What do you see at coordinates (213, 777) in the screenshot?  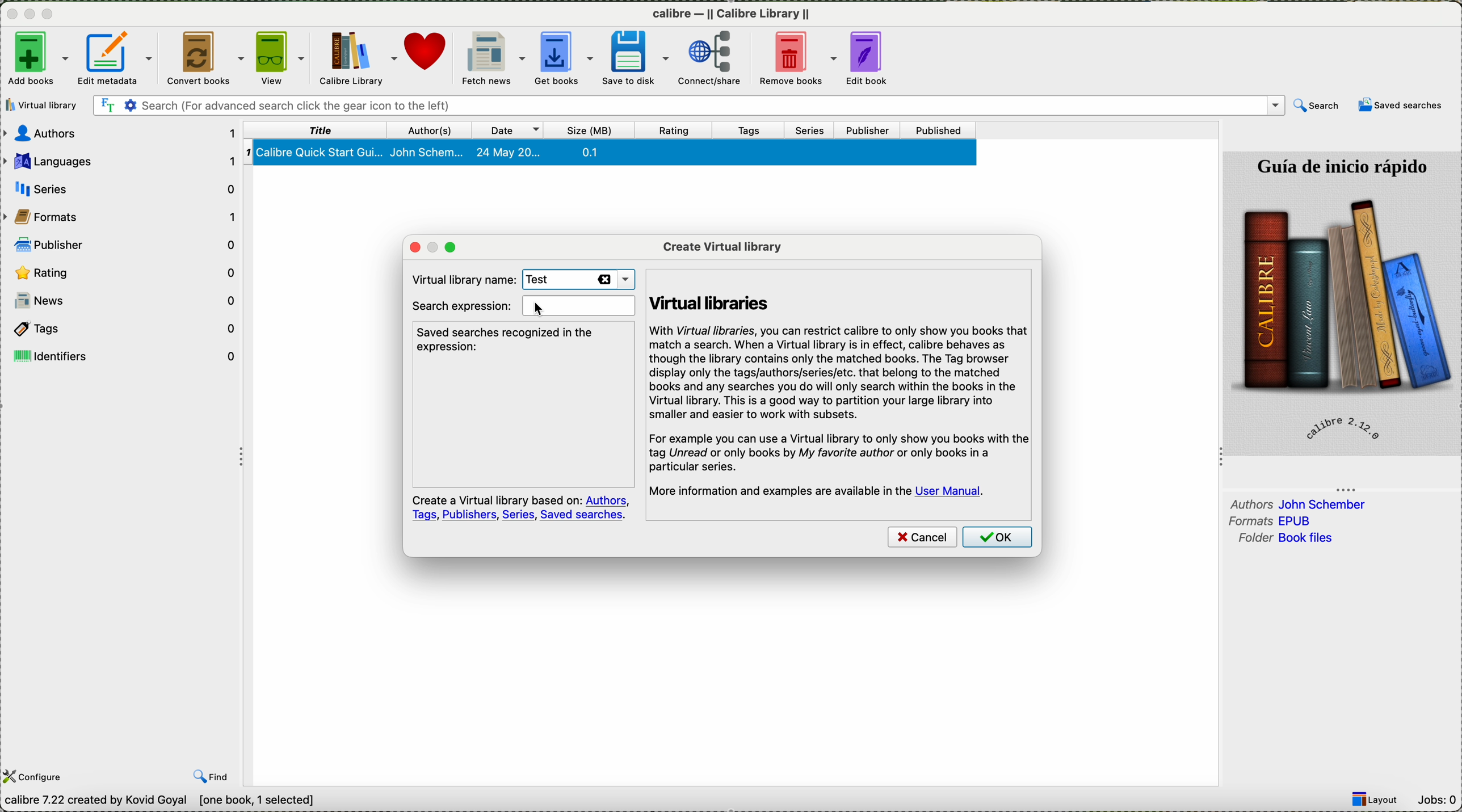 I see `find` at bounding box center [213, 777].